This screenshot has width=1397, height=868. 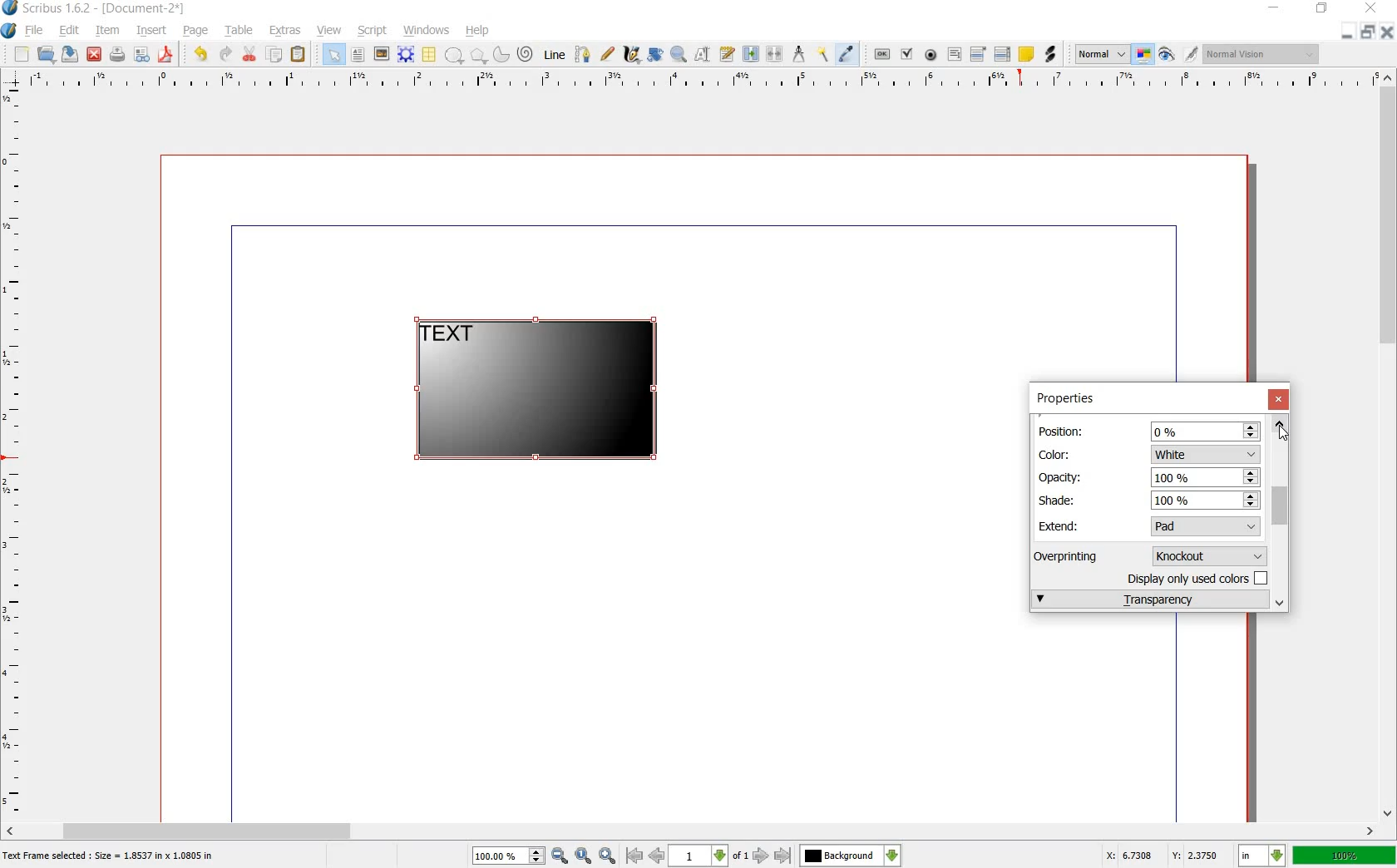 What do you see at coordinates (11, 9) in the screenshot?
I see `logo` at bounding box center [11, 9].